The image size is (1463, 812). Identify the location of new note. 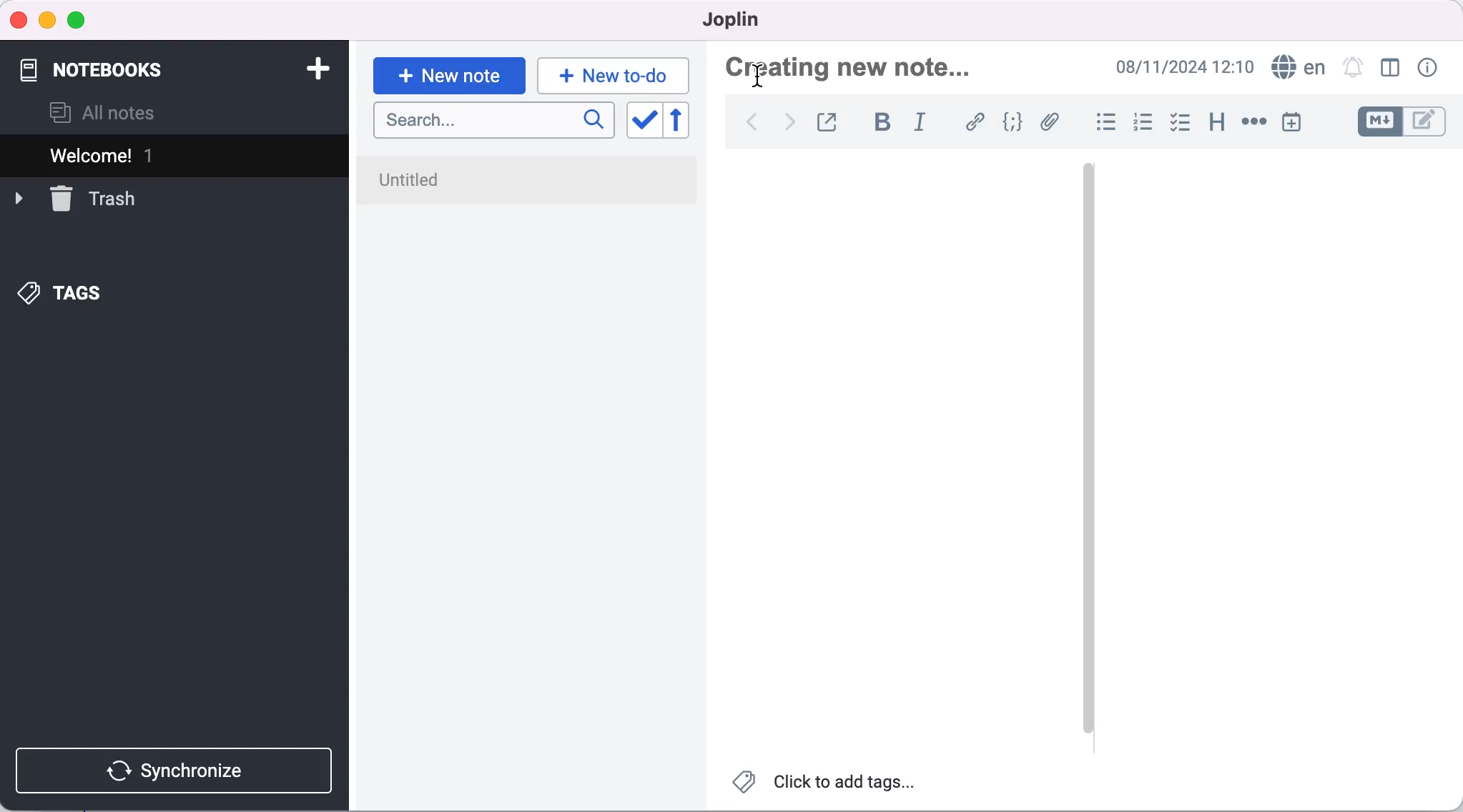
(449, 71).